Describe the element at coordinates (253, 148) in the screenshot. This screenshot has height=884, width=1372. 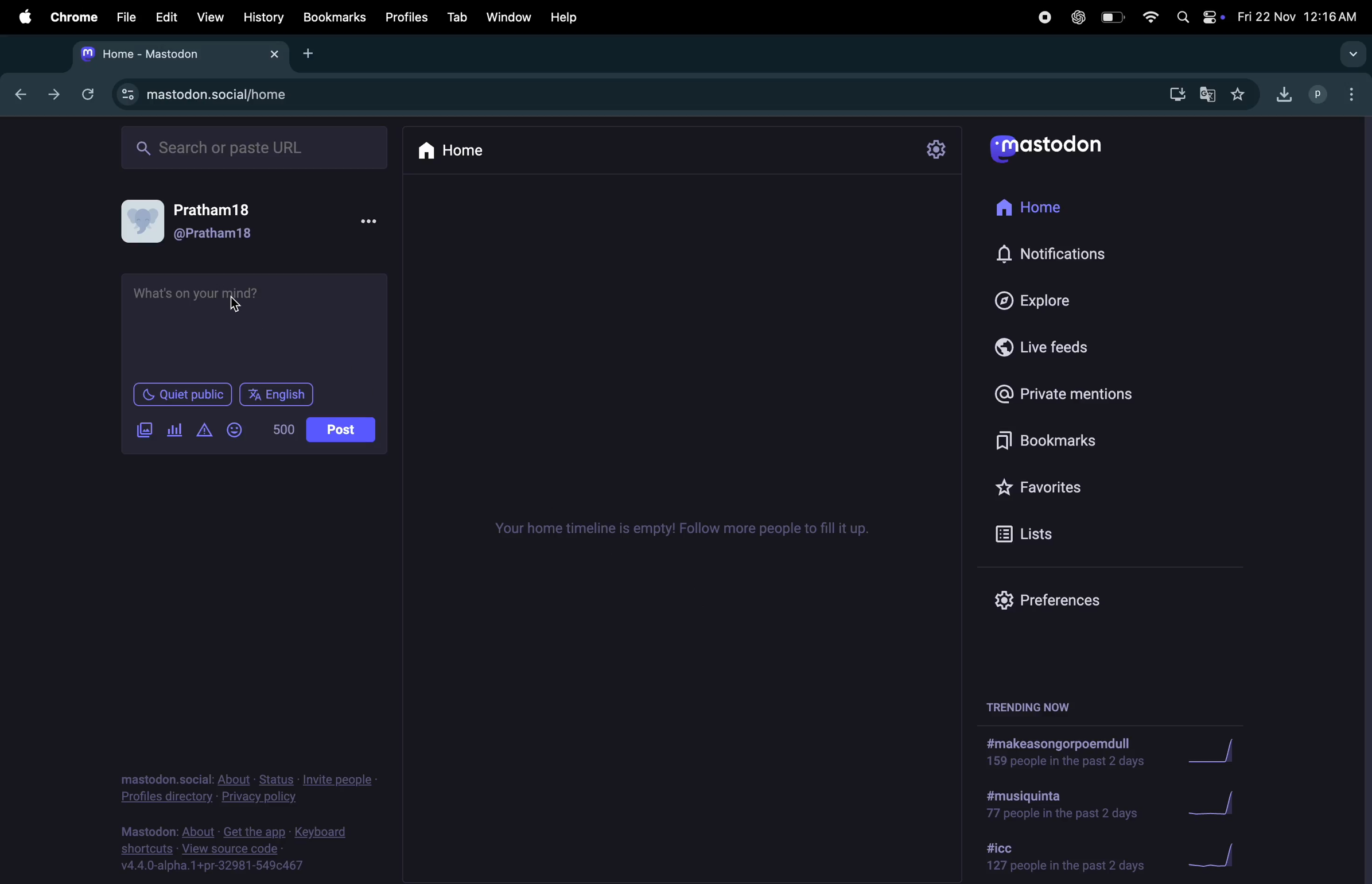
I see `search bar` at that location.